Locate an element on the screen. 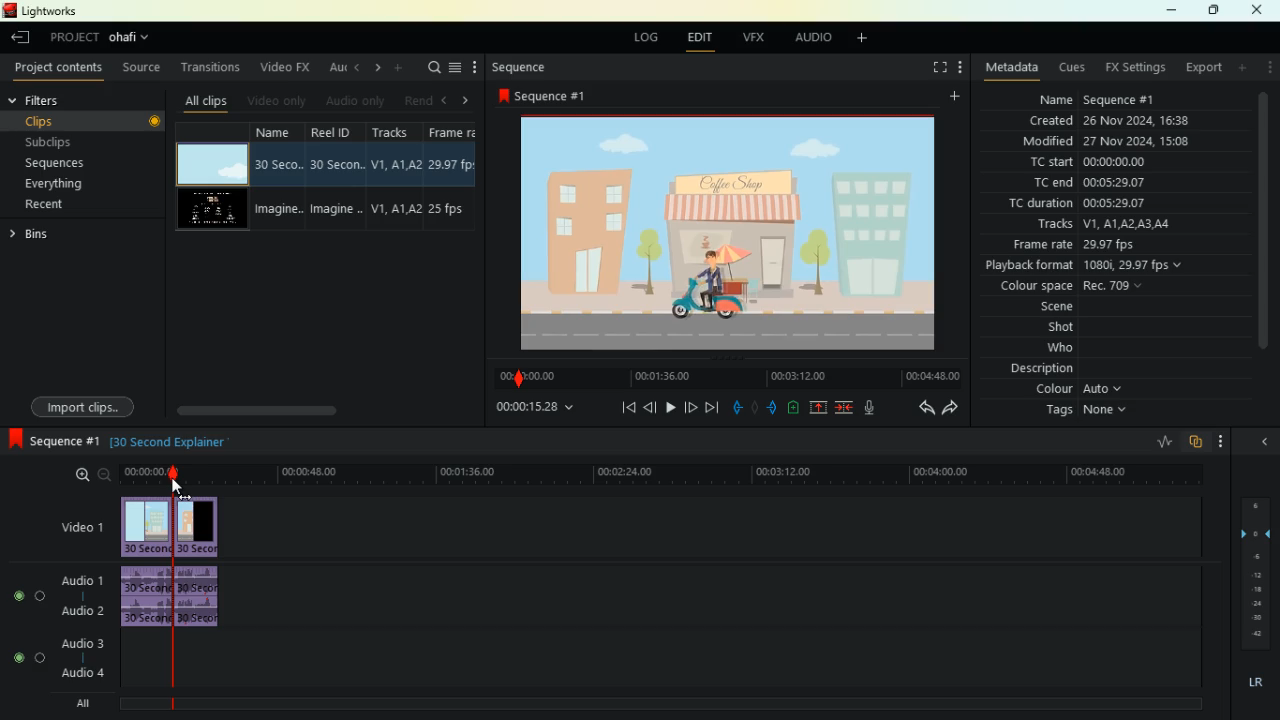 The width and height of the screenshot is (1280, 720). scroll is located at coordinates (1258, 221).